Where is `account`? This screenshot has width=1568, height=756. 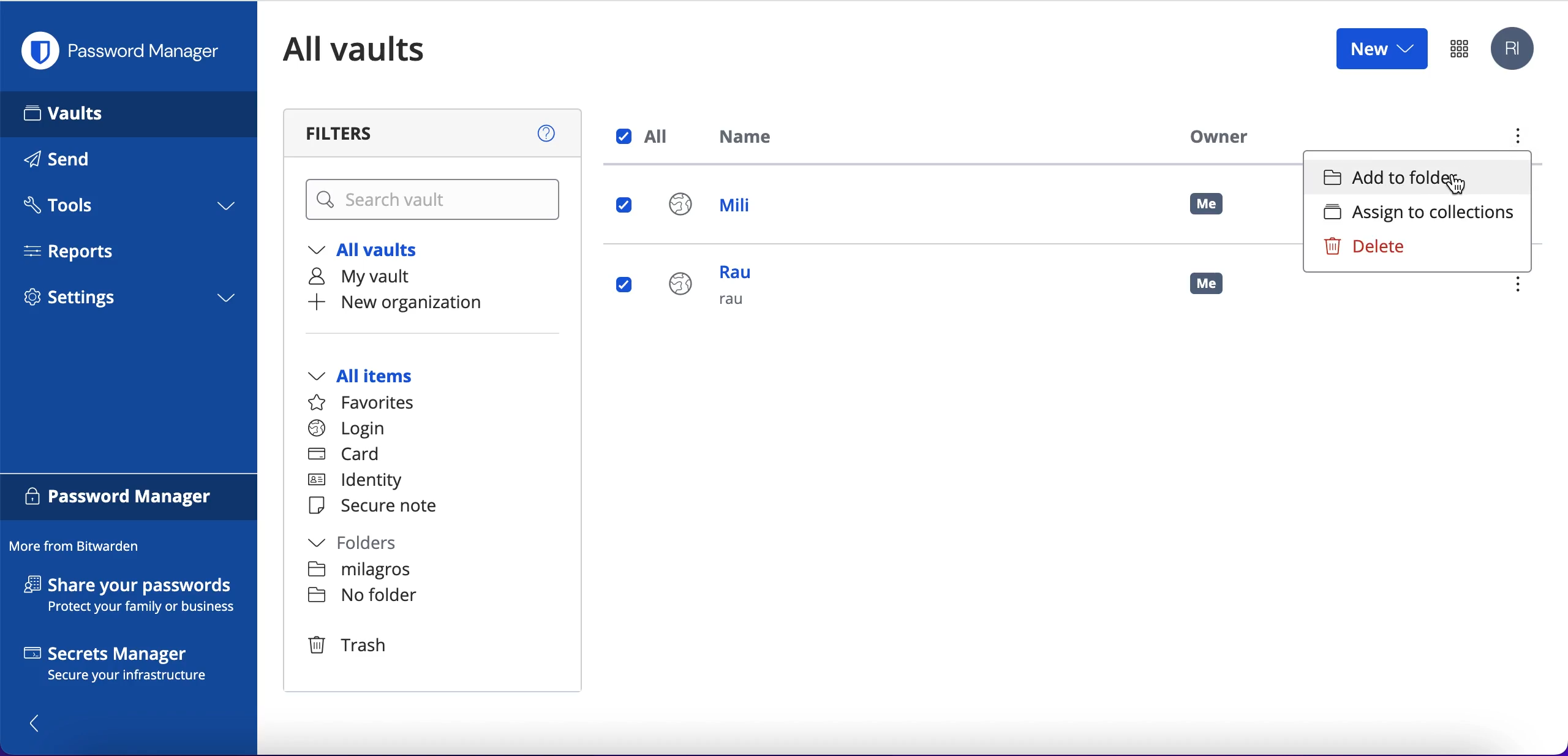 account is located at coordinates (1515, 50).